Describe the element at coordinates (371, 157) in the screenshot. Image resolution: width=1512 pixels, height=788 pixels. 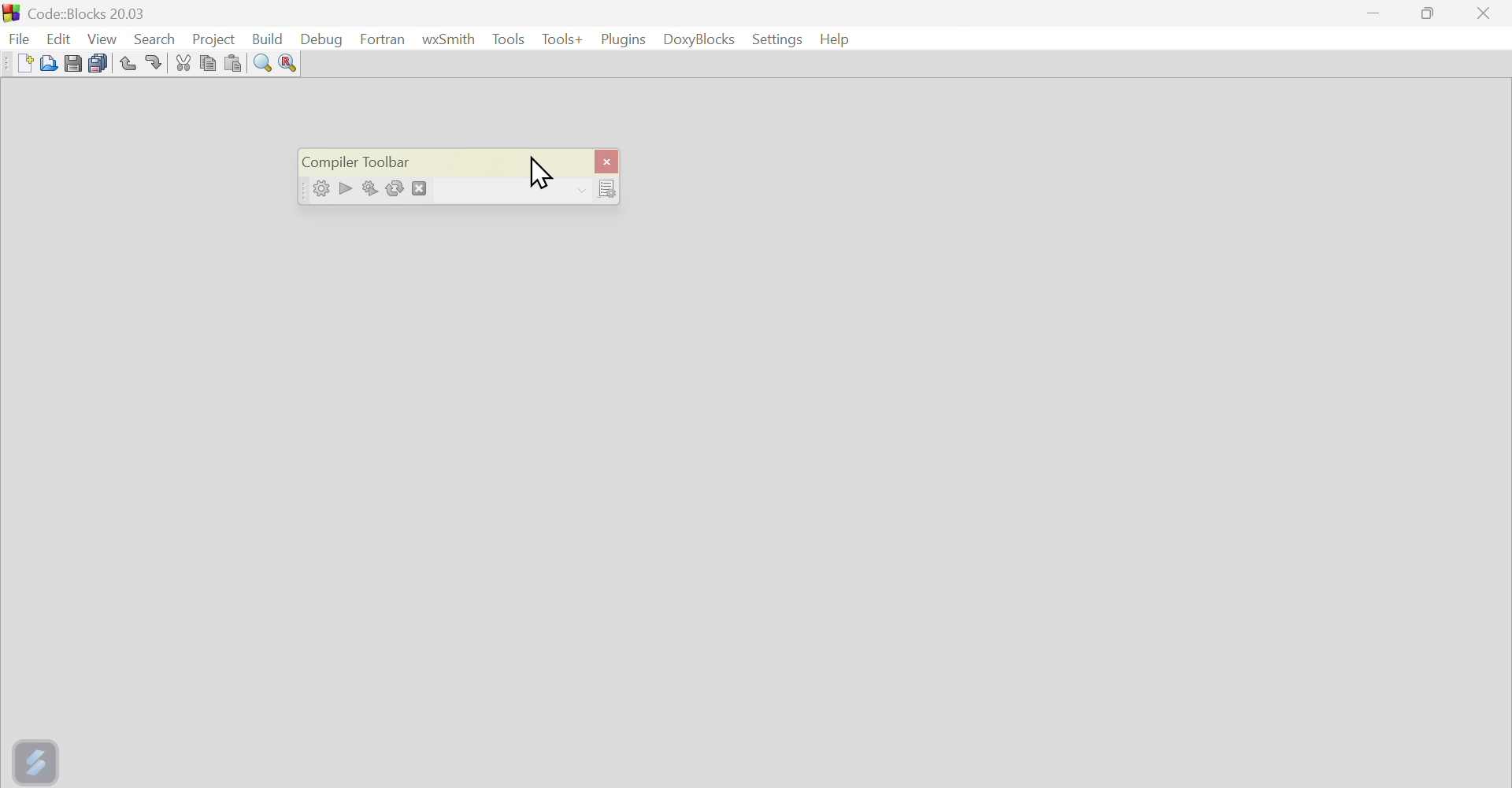
I see `Compile toolbar` at that location.